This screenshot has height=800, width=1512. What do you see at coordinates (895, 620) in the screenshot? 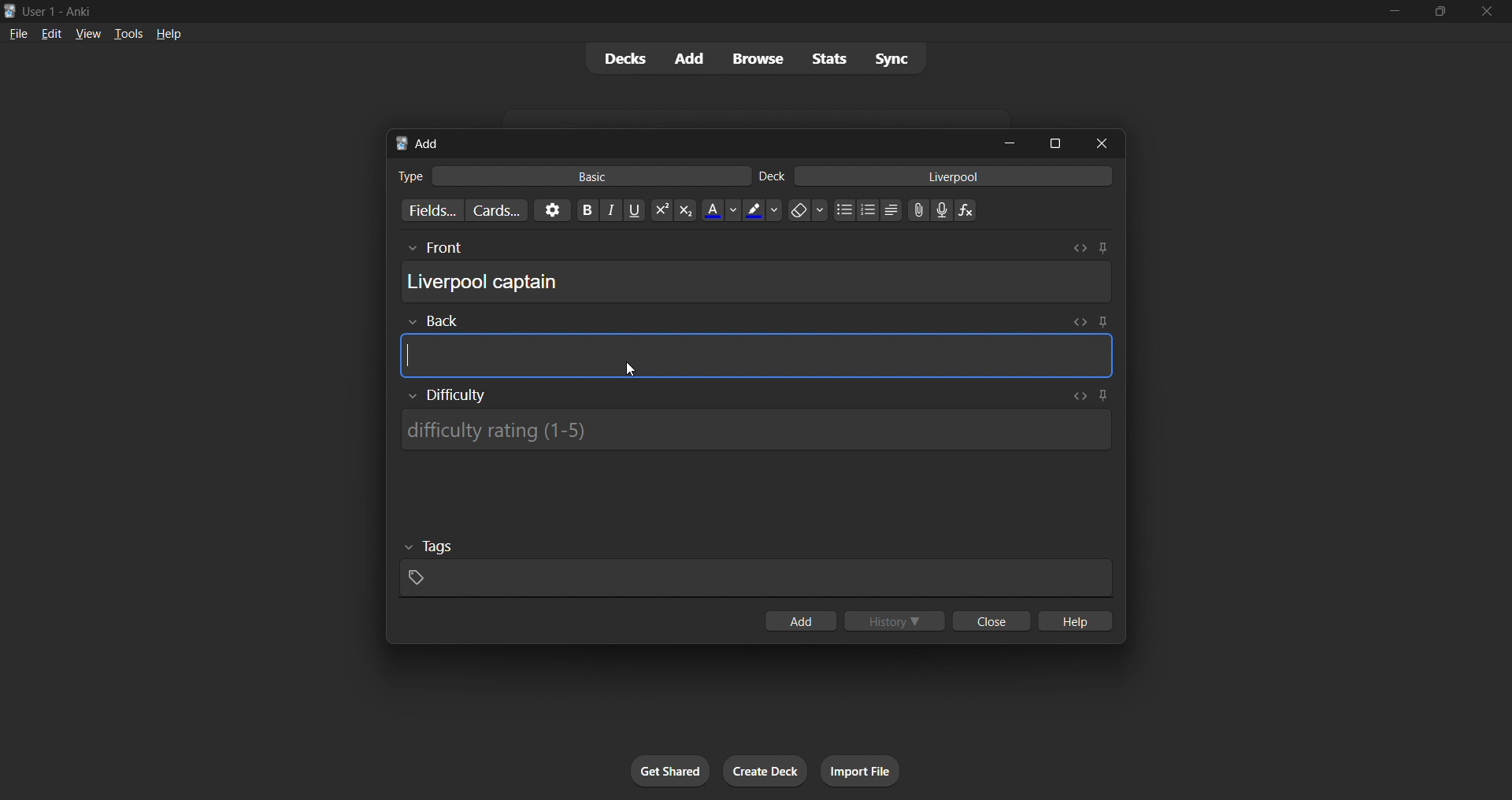
I see `history` at bounding box center [895, 620].